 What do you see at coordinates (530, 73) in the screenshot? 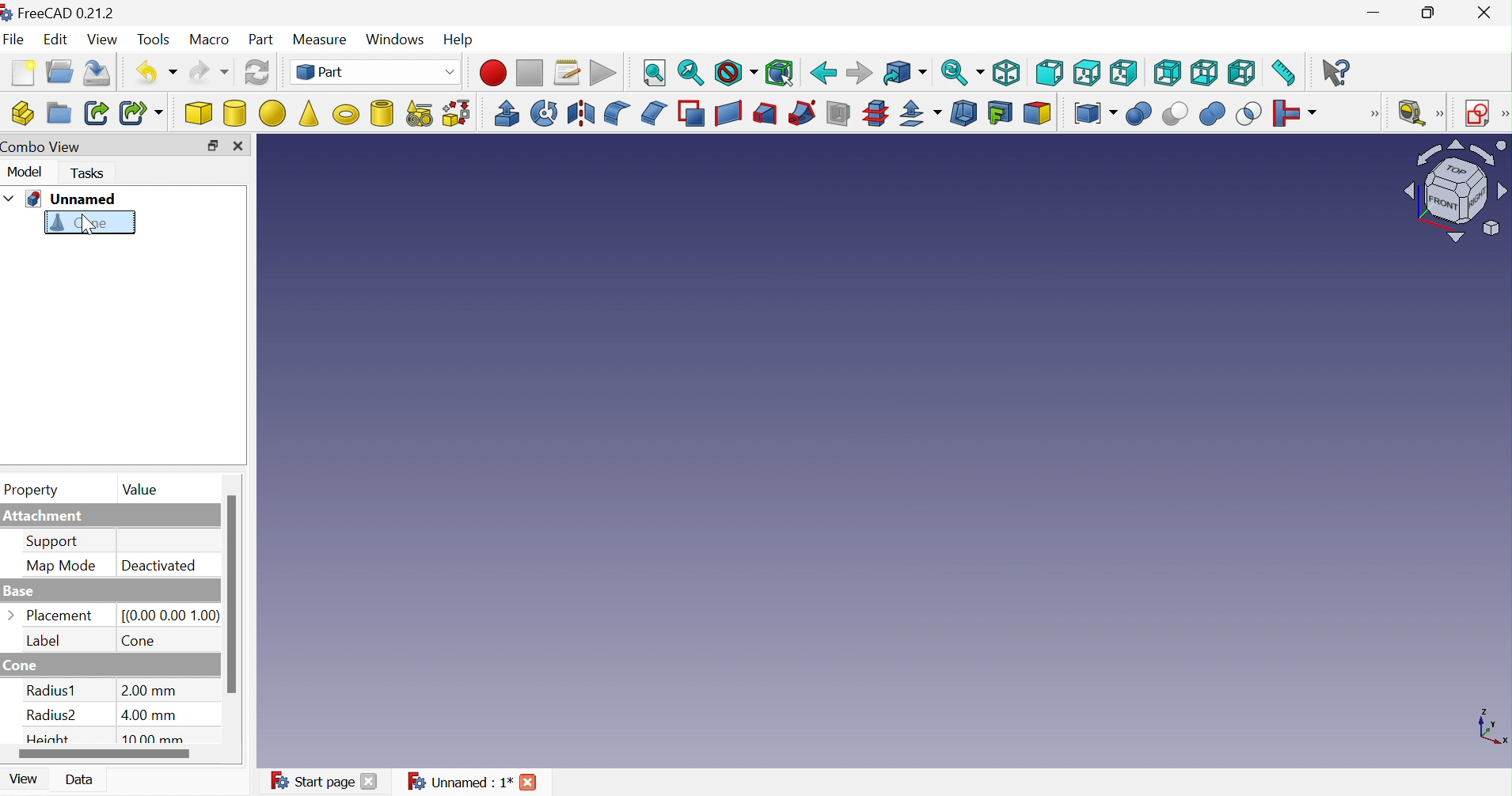
I see `Stop macro recording` at bounding box center [530, 73].